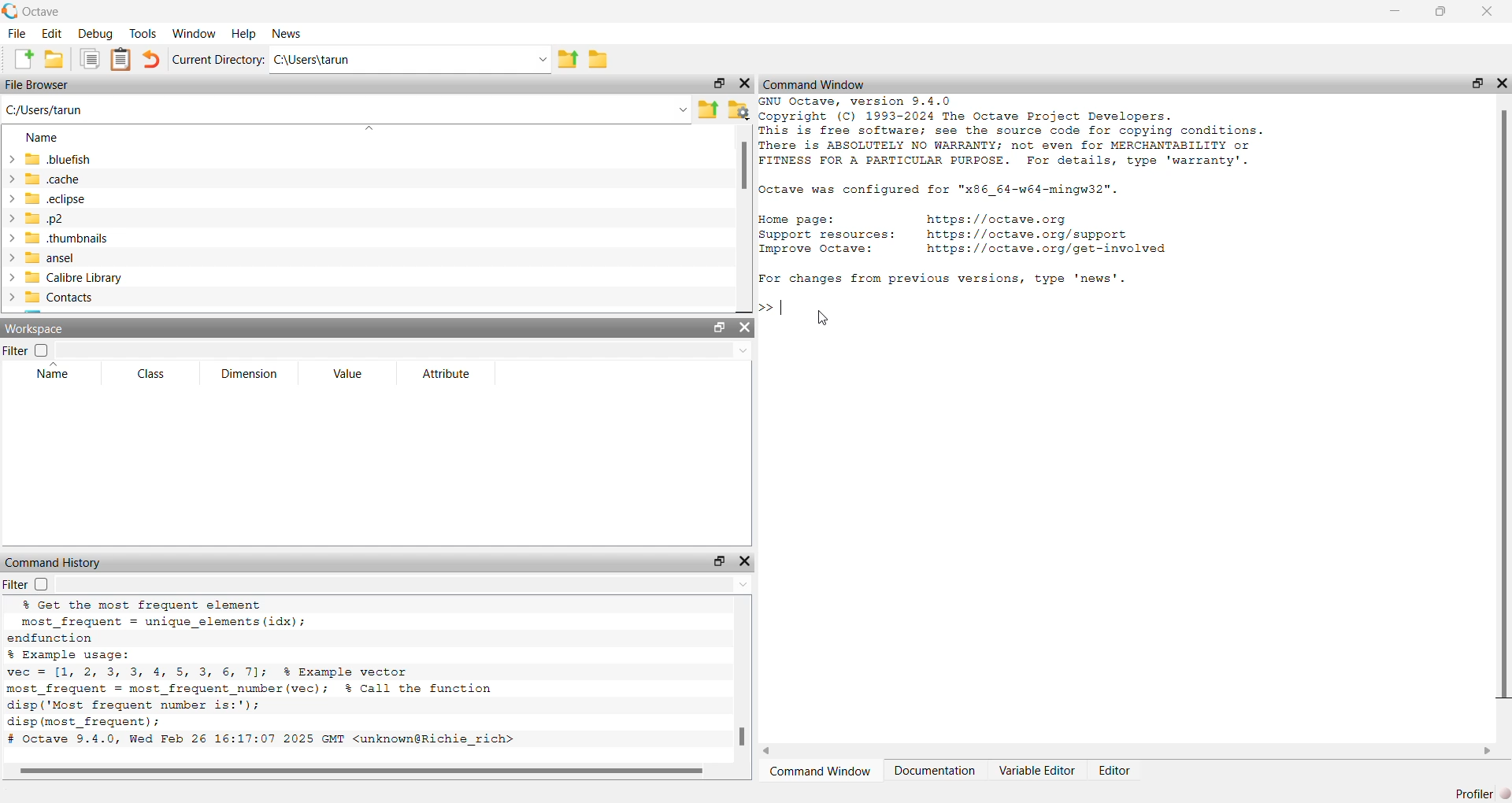 This screenshot has width=1512, height=803. I want to click on Name, so click(53, 372).